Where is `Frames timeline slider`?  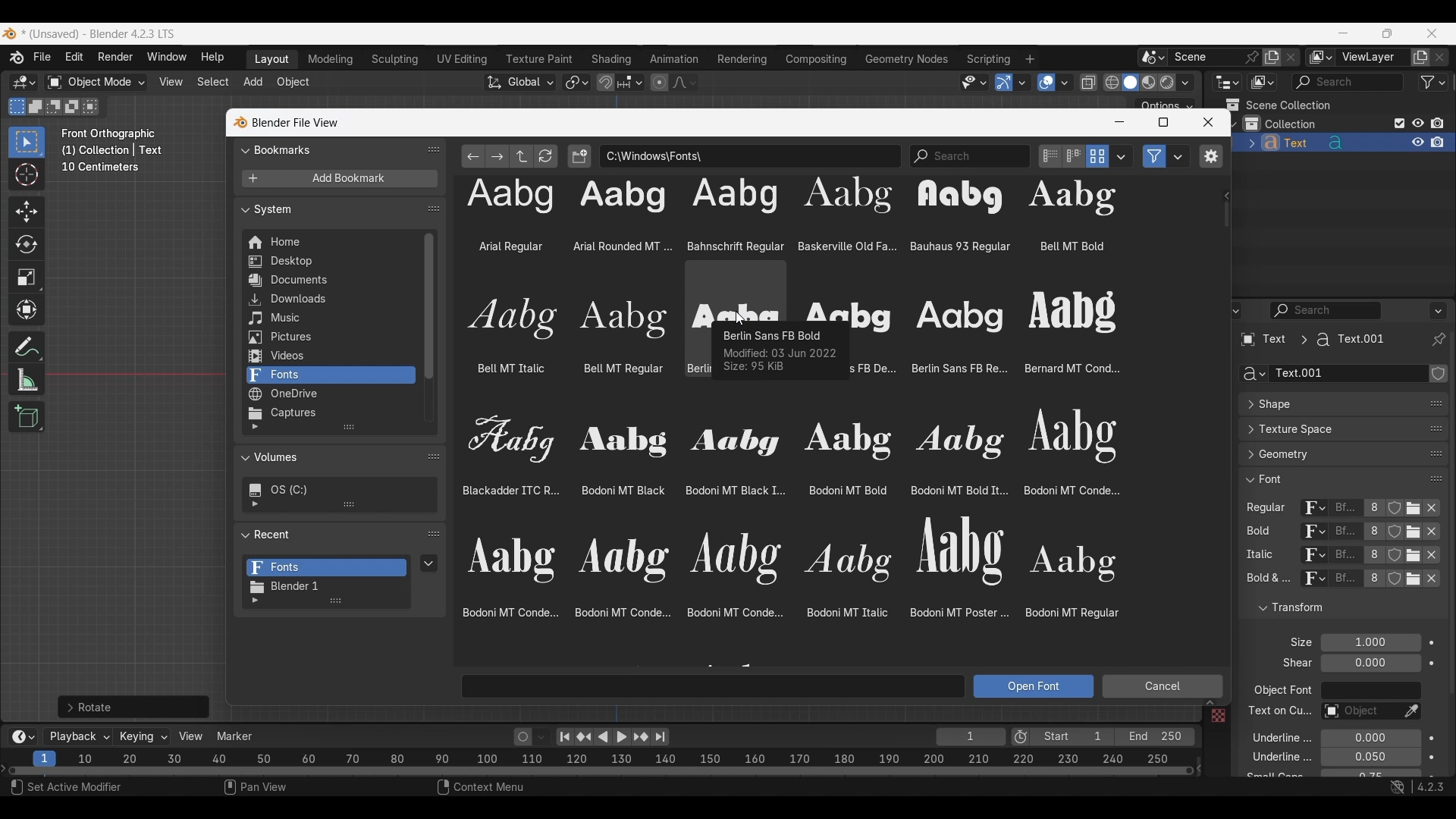 Frames timeline slider is located at coordinates (600, 772).